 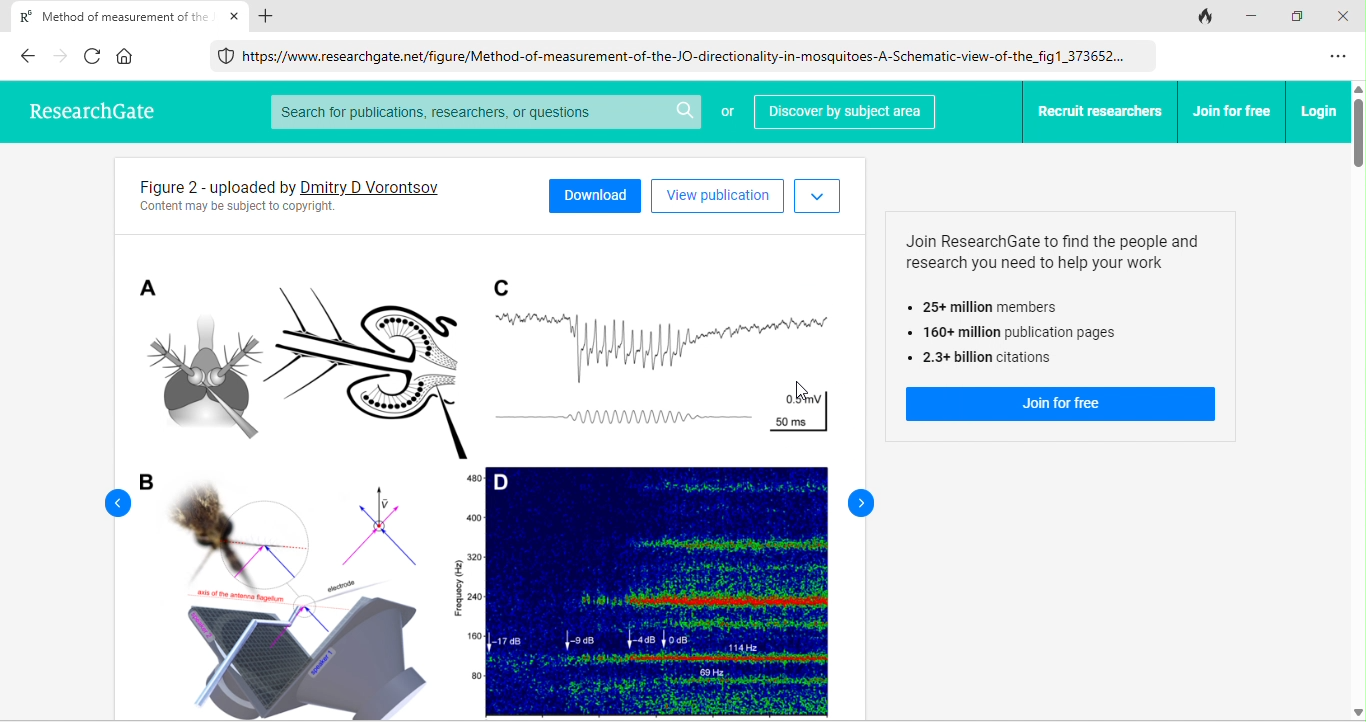 I want to click on research gate, so click(x=88, y=108).